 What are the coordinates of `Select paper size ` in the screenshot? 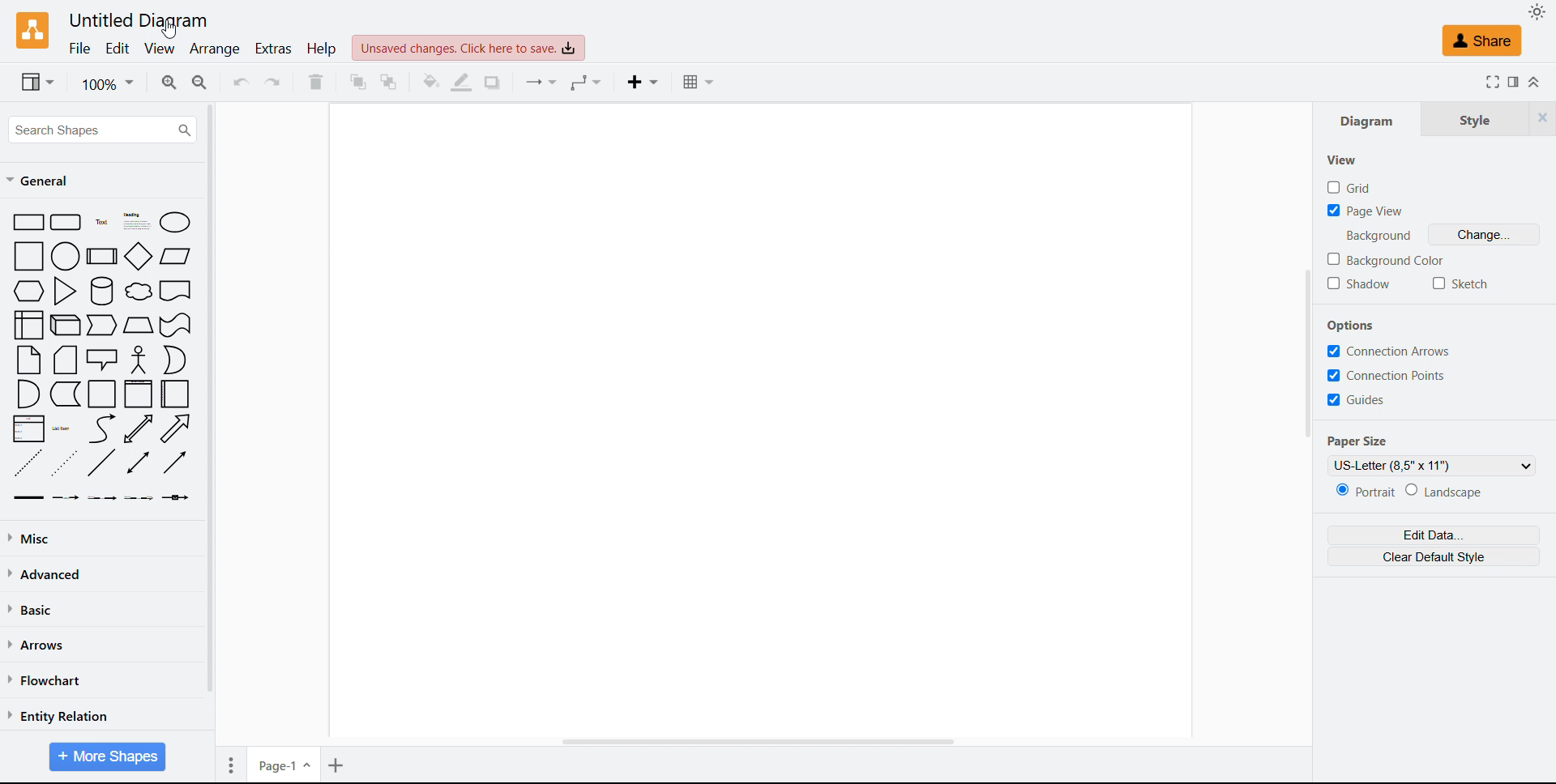 It's located at (1431, 465).